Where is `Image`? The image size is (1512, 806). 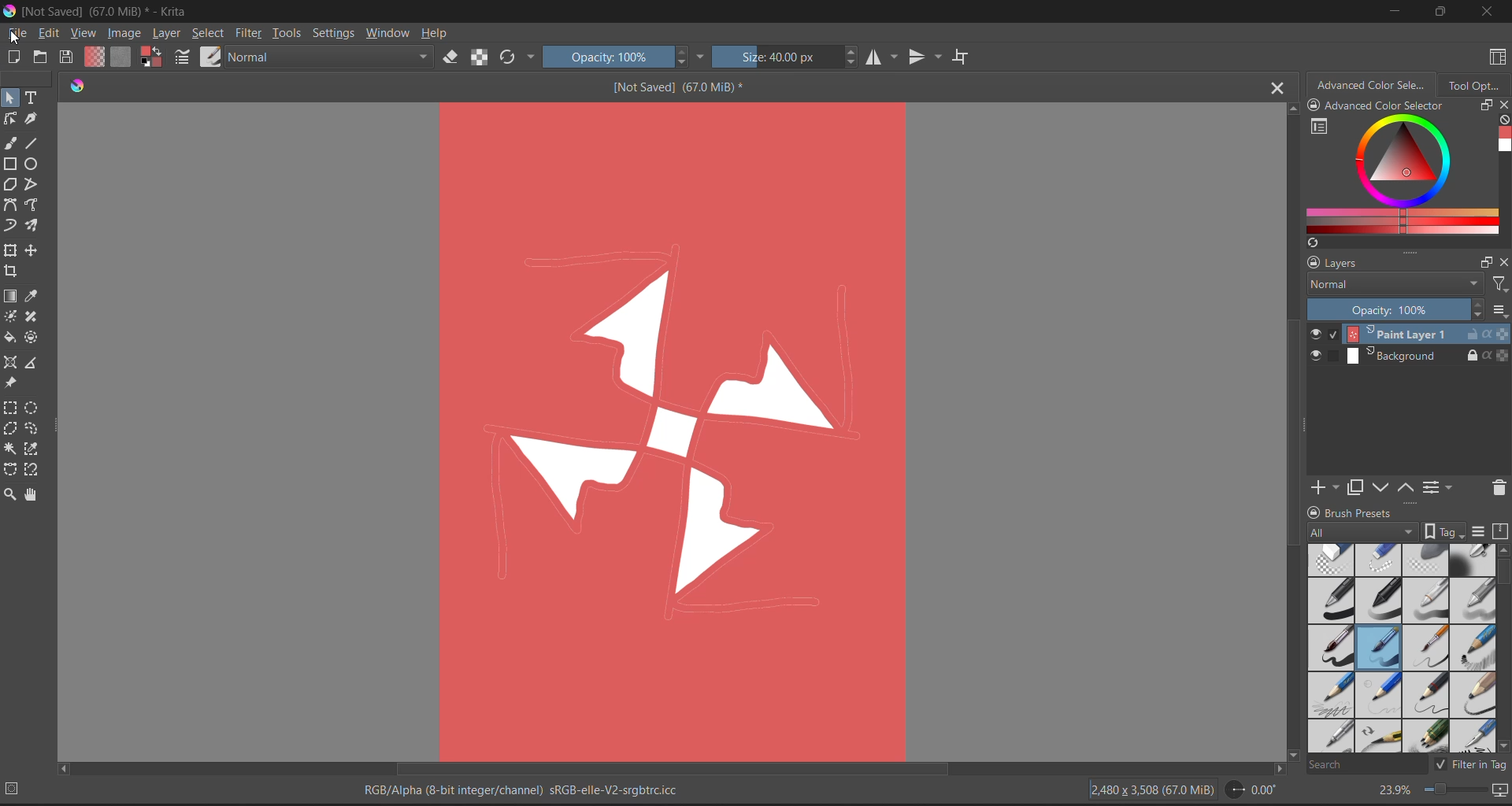
Image is located at coordinates (676, 430).